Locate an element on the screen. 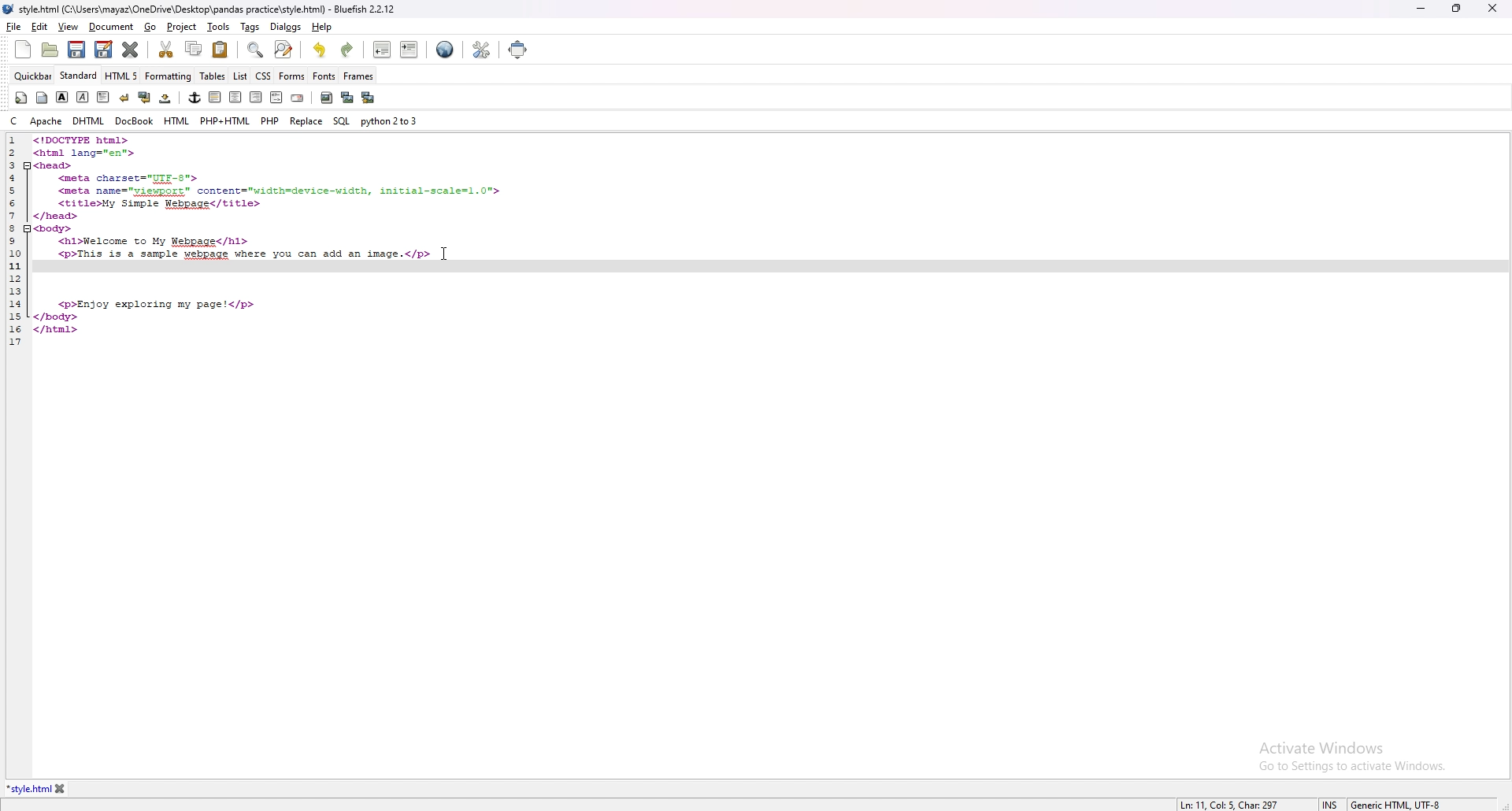 This screenshot has width=1512, height=811. advanced find and replace is located at coordinates (284, 50).